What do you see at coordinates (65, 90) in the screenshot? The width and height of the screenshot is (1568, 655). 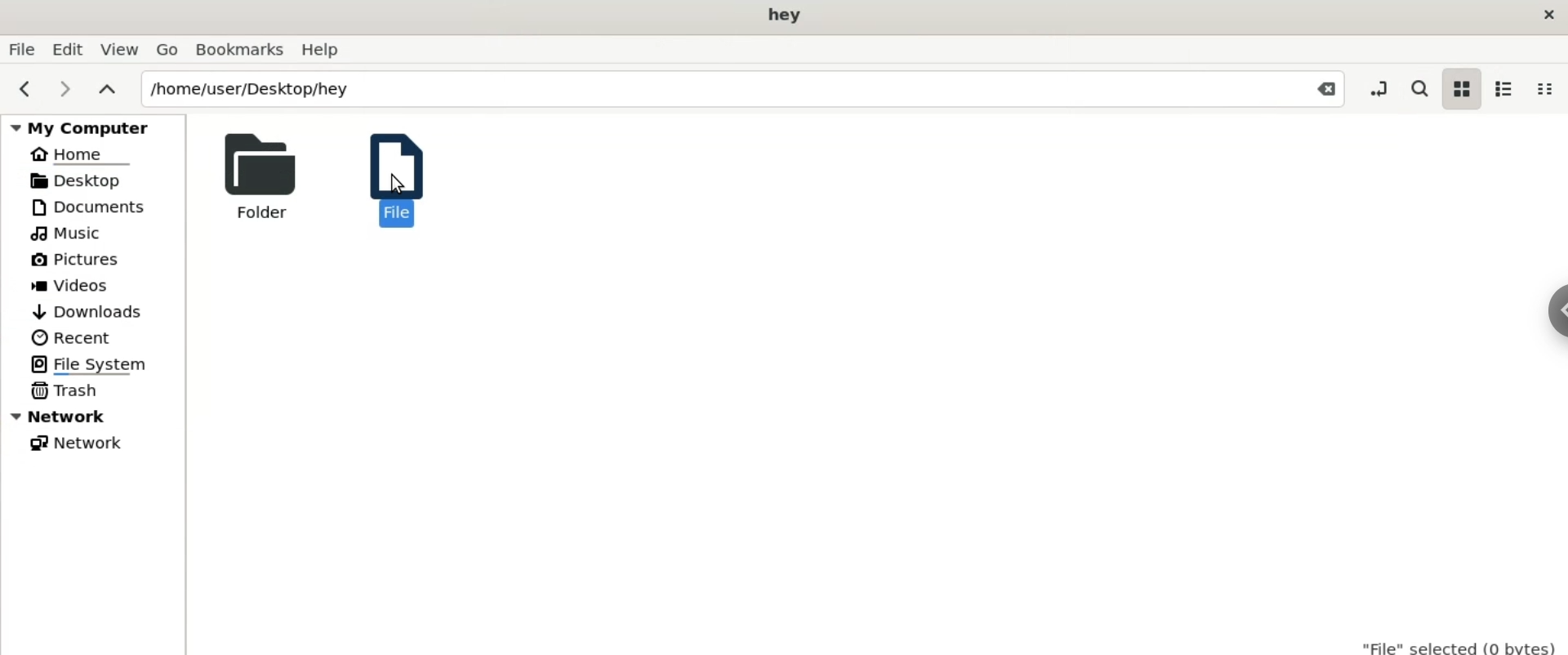 I see `next` at bounding box center [65, 90].